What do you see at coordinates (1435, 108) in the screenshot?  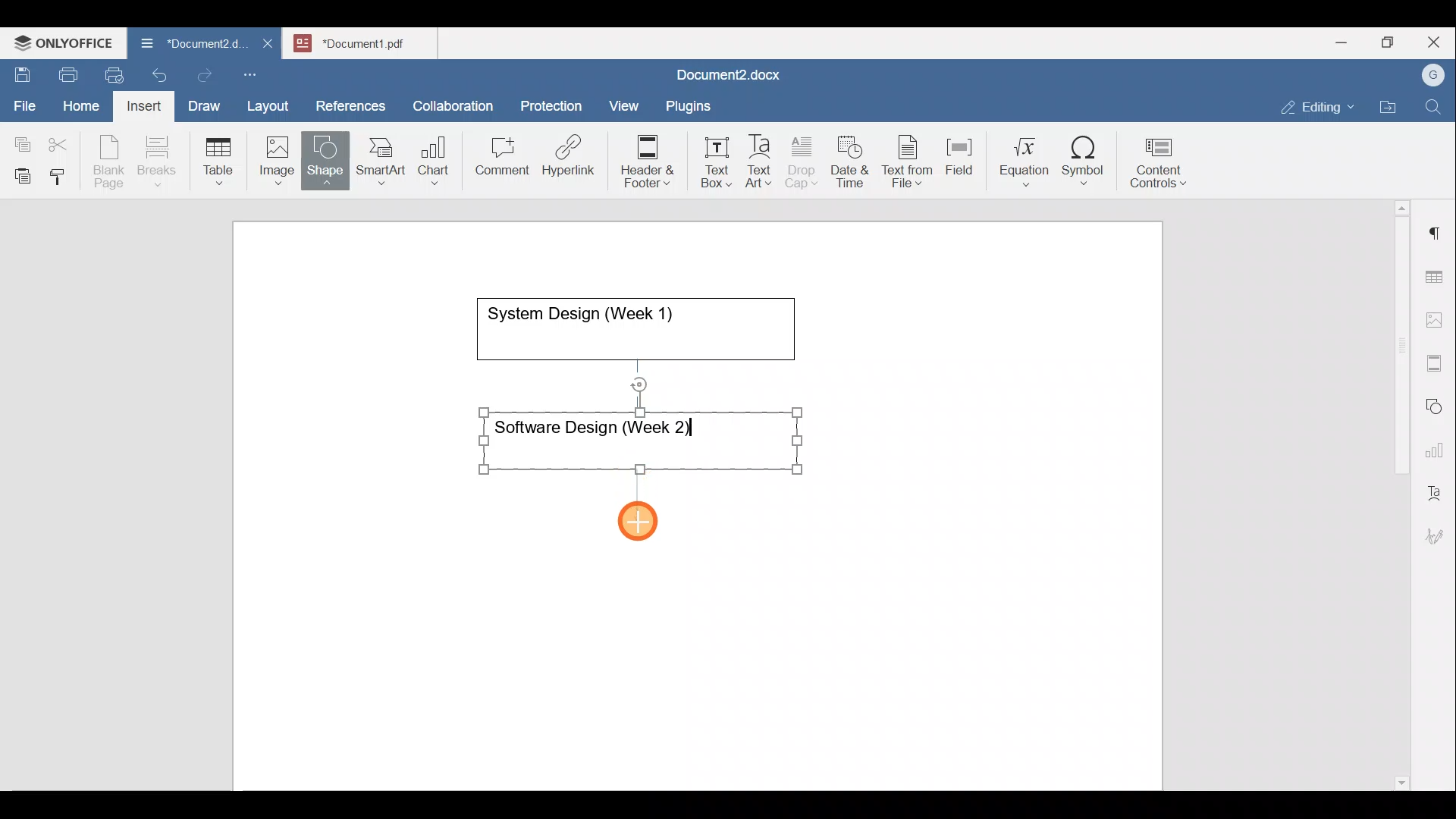 I see `Find` at bounding box center [1435, 108].